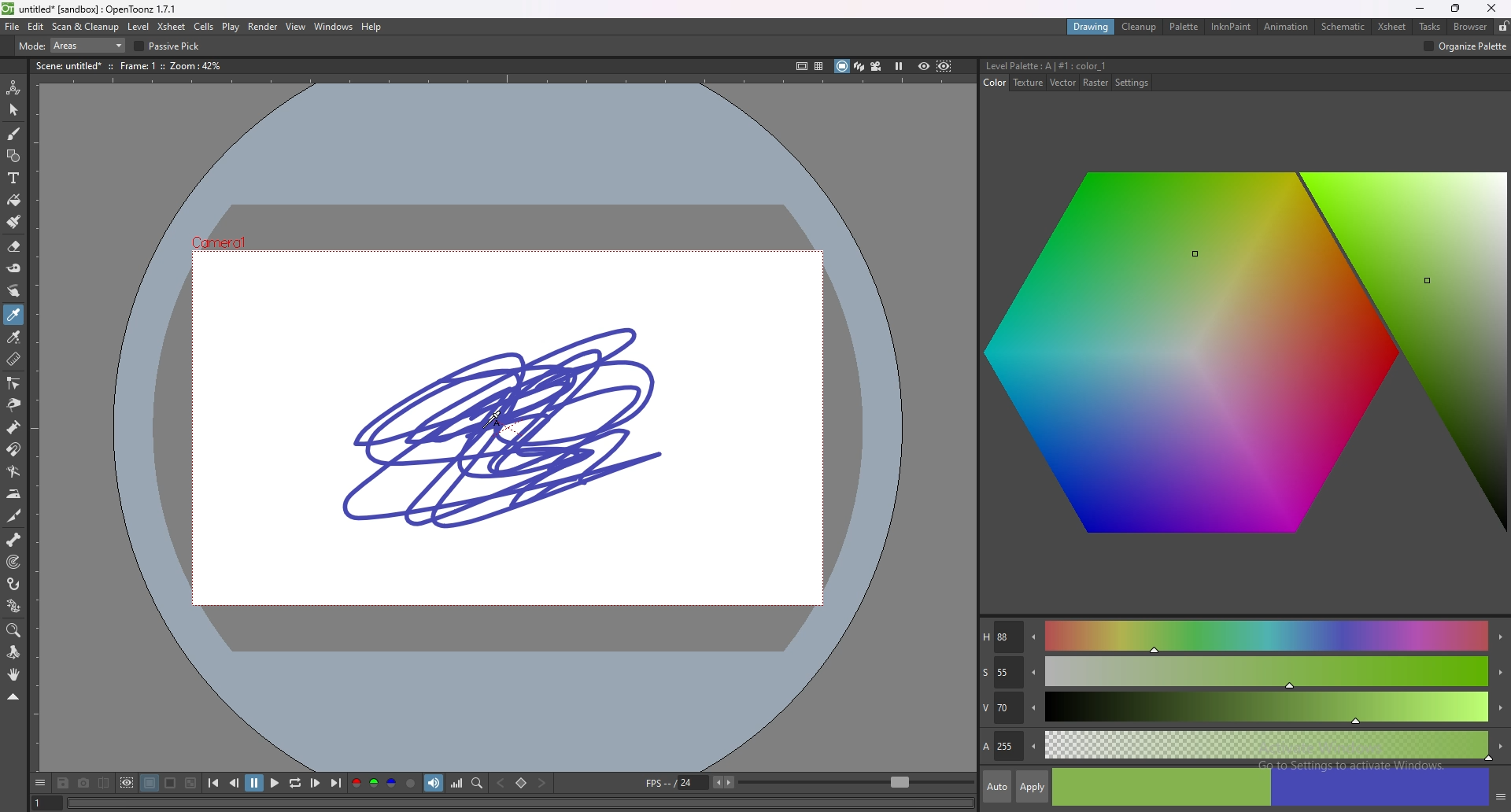 This screenshot has width=1511, height=812. What do you see at coordinates (171, 783) in the screenshot?
I see `white background` at bounding box center [171, 783].